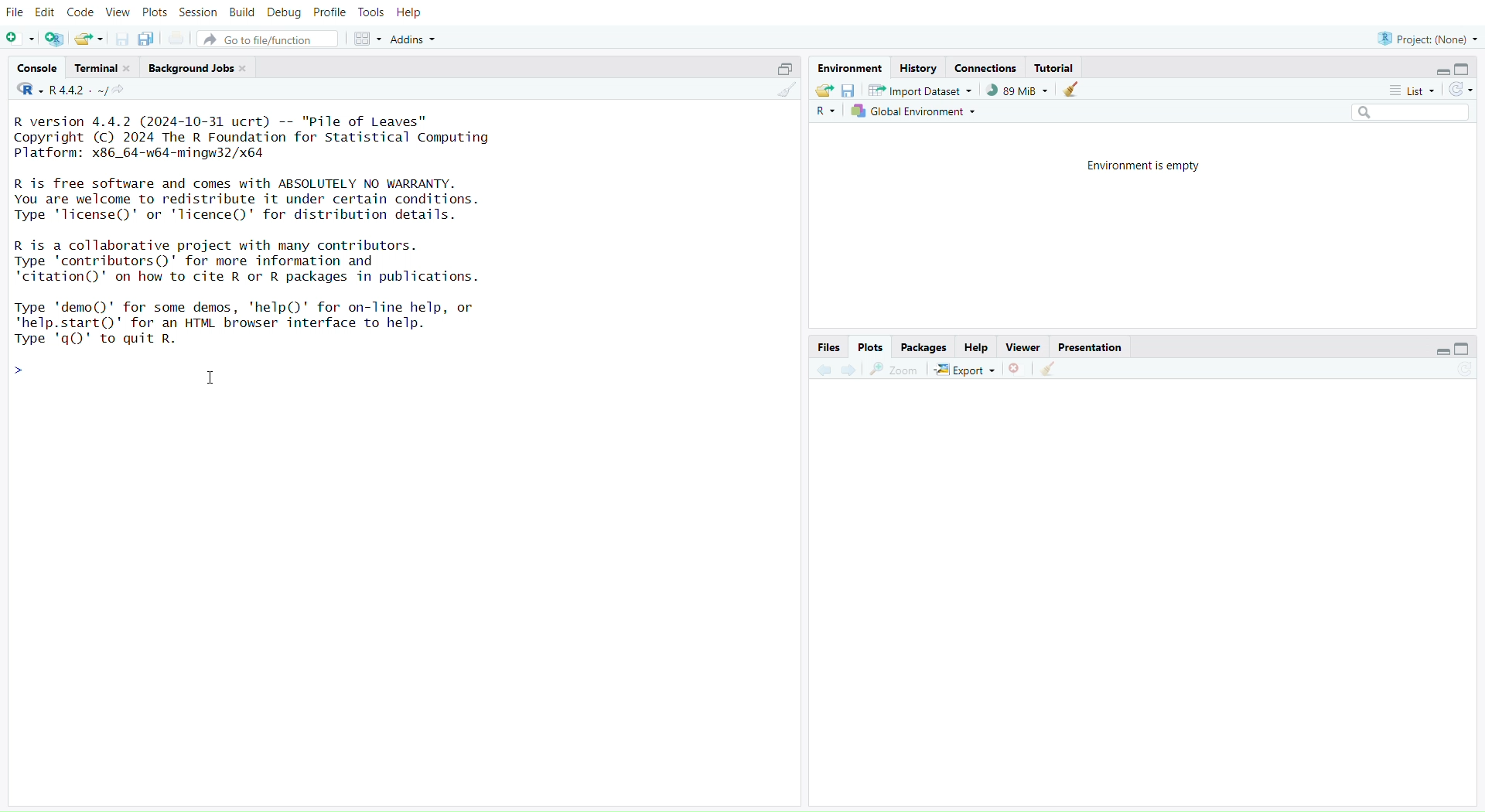 This screenshot has height=812, width=1485. I want to click on Global environment, so click(917, 112).